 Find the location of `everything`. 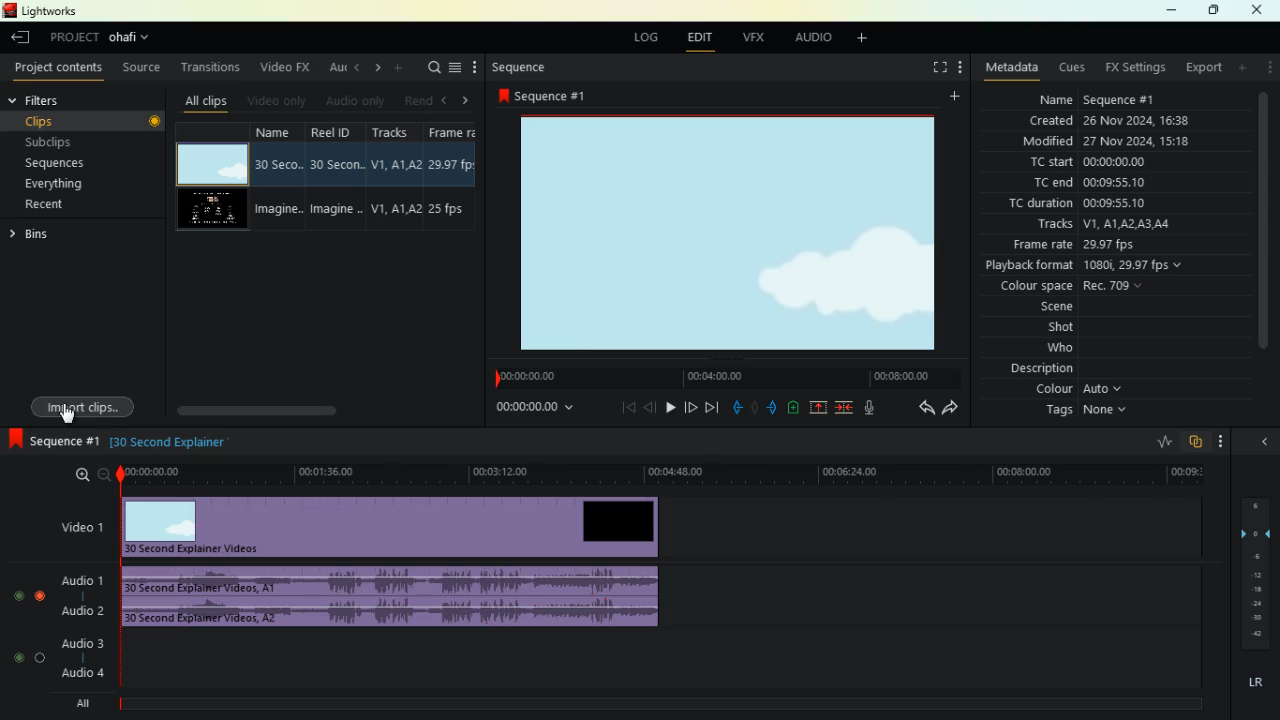

everything is located at coordinates (61, 184).